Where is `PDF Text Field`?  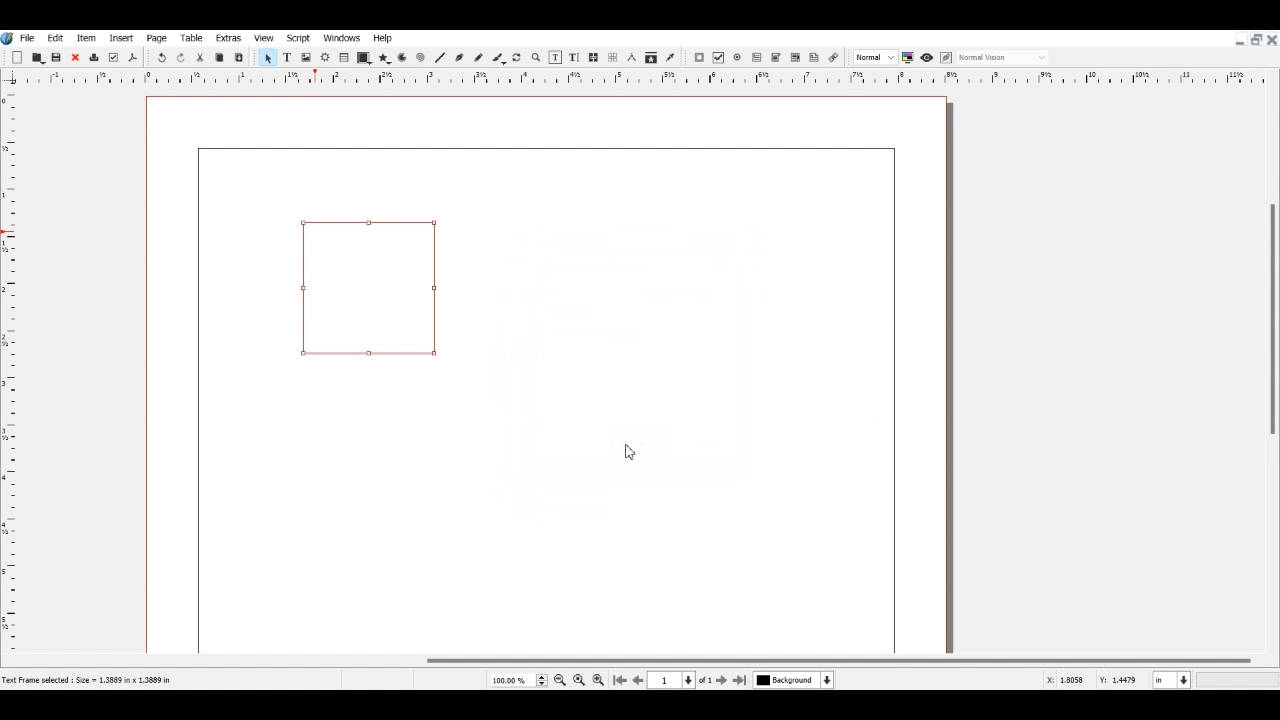 PDF Text Field is located at coordinates (757, 58).